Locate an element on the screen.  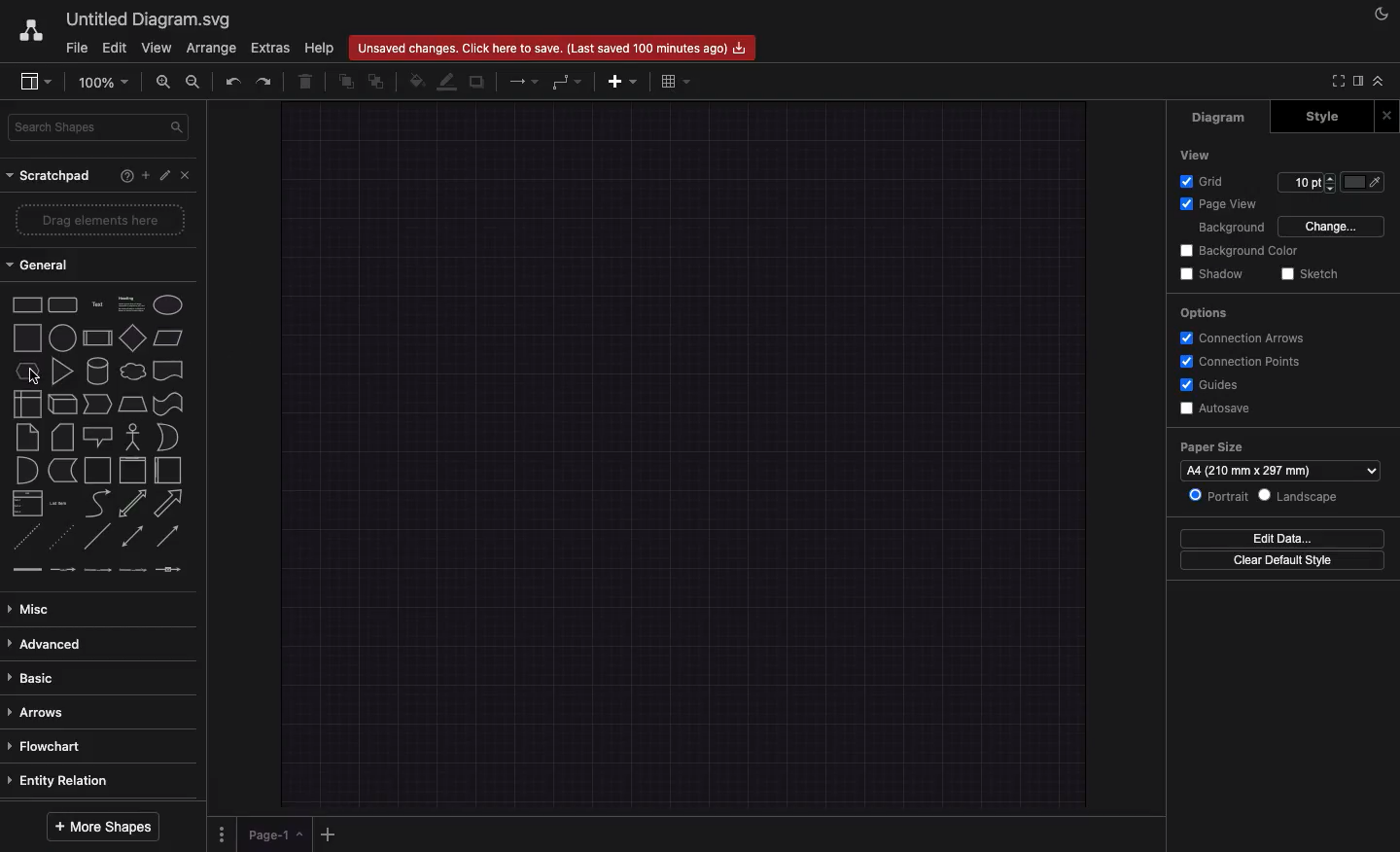
Misc is located at coordinates (36, 611).